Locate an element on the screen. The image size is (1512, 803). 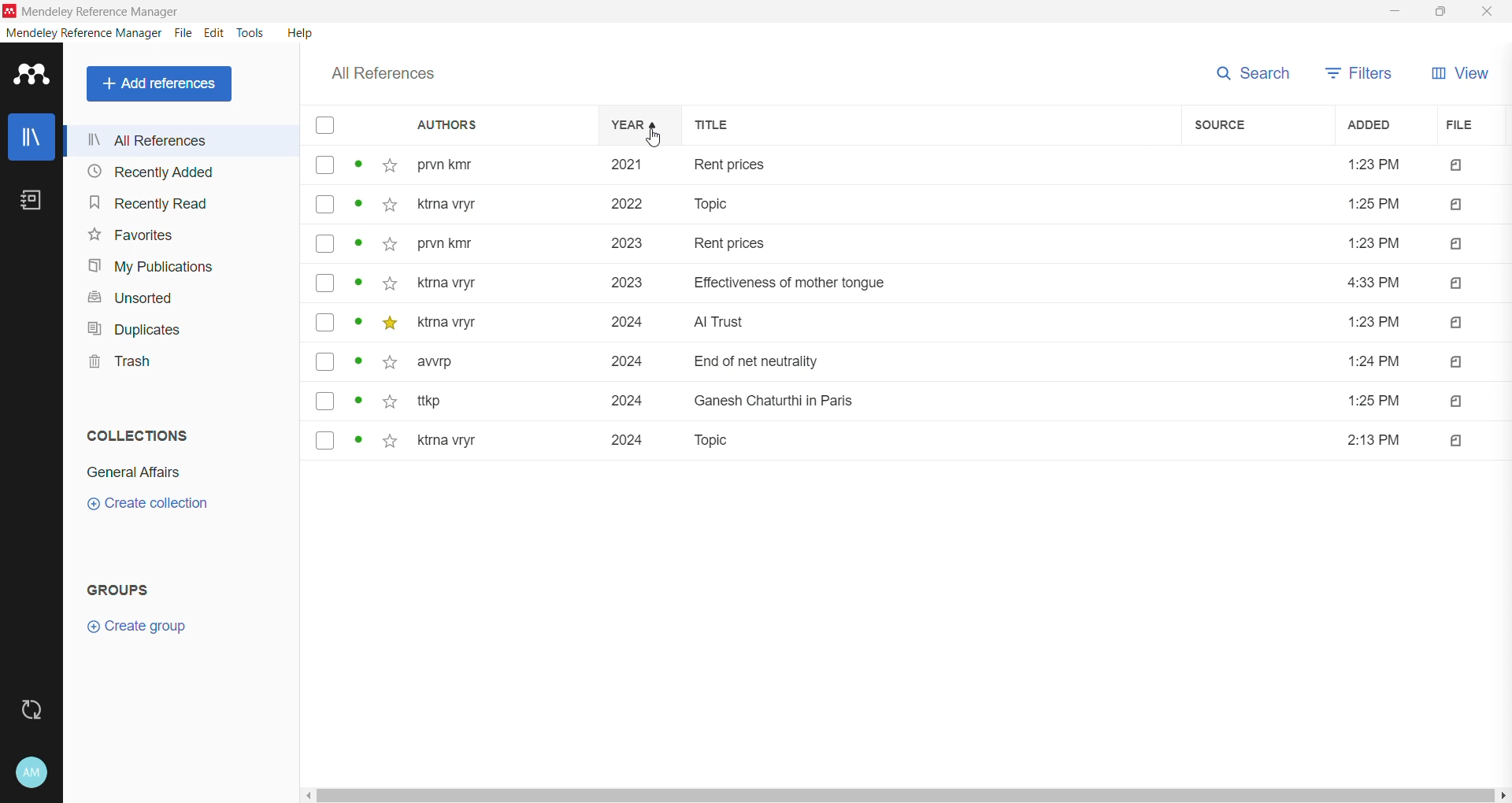
2023 is located at coordinates (631, 284).